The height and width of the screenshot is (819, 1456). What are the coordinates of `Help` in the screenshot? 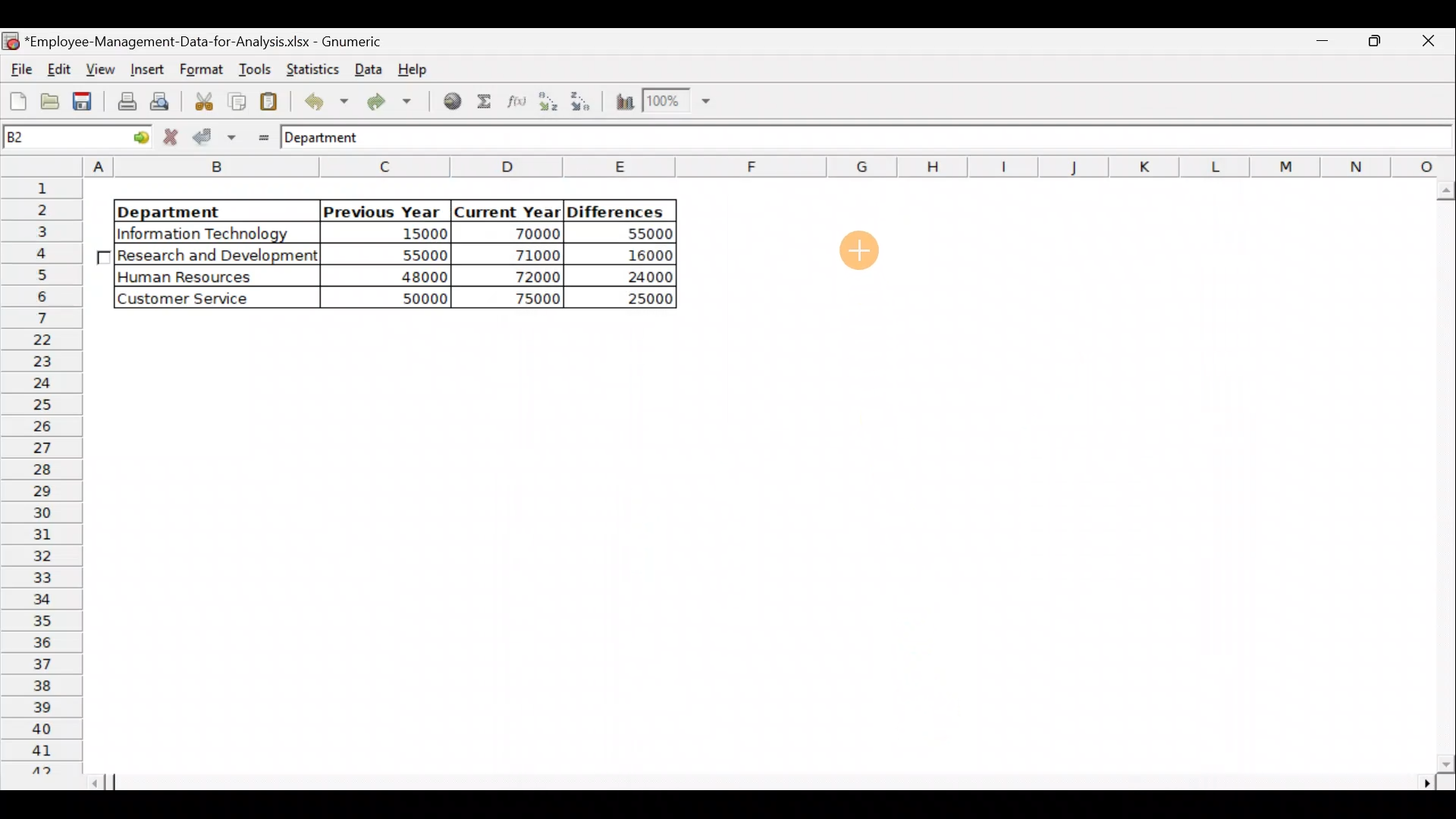 It's located at (416, 73).